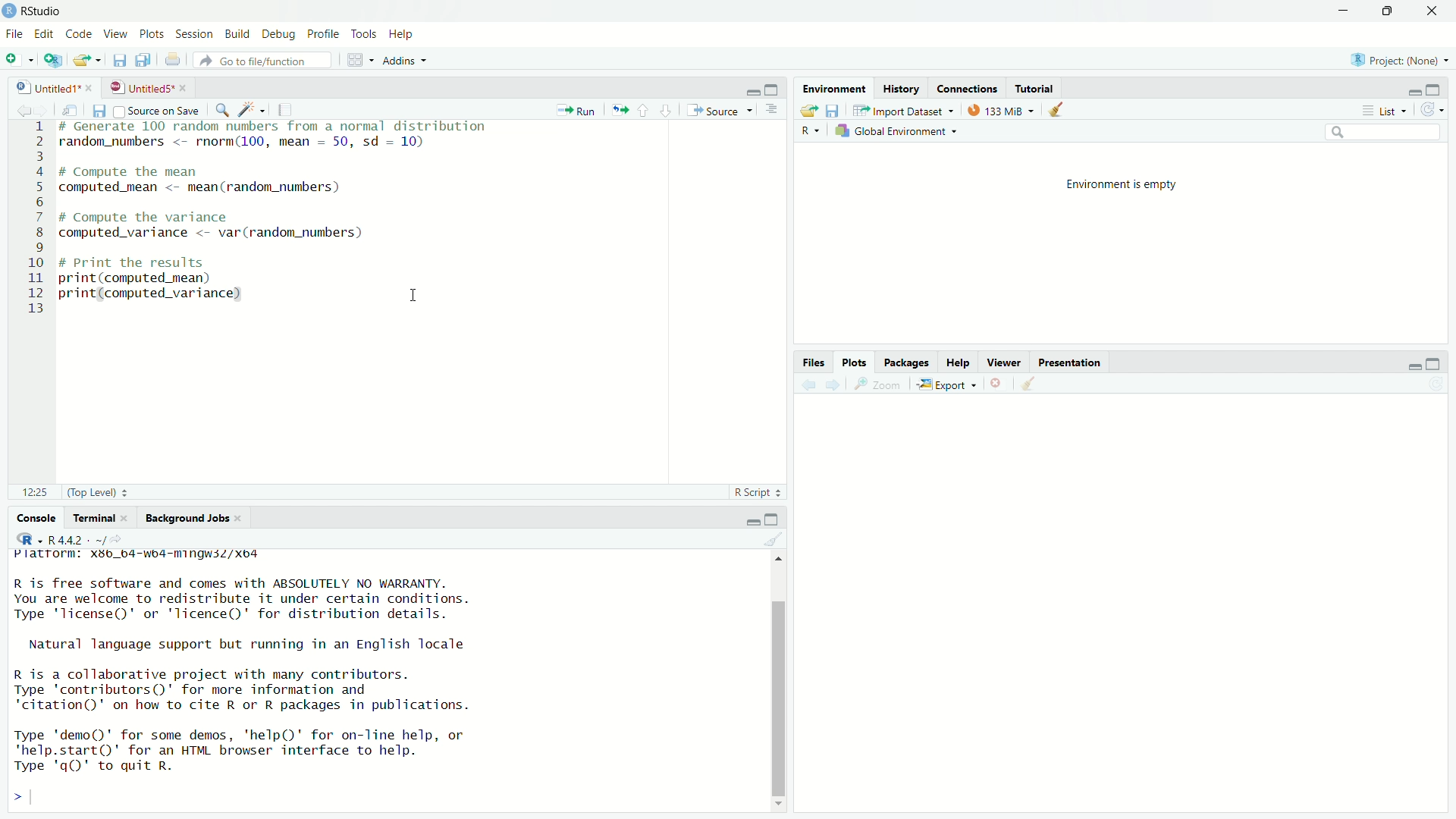  I want to click on help, so click(400, 33).